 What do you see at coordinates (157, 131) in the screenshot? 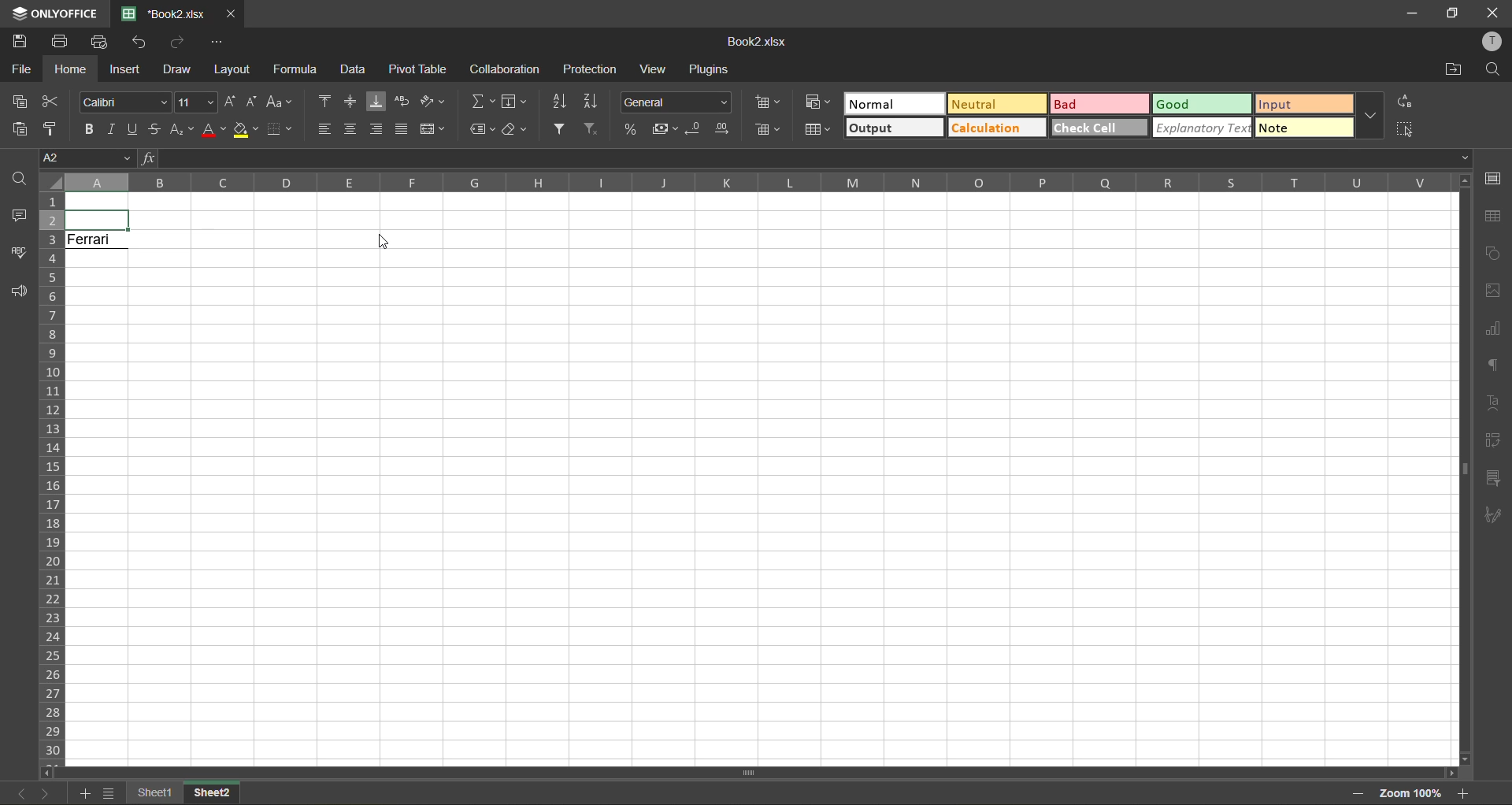
I see `strikethrough` at bounding box center [157, 131].